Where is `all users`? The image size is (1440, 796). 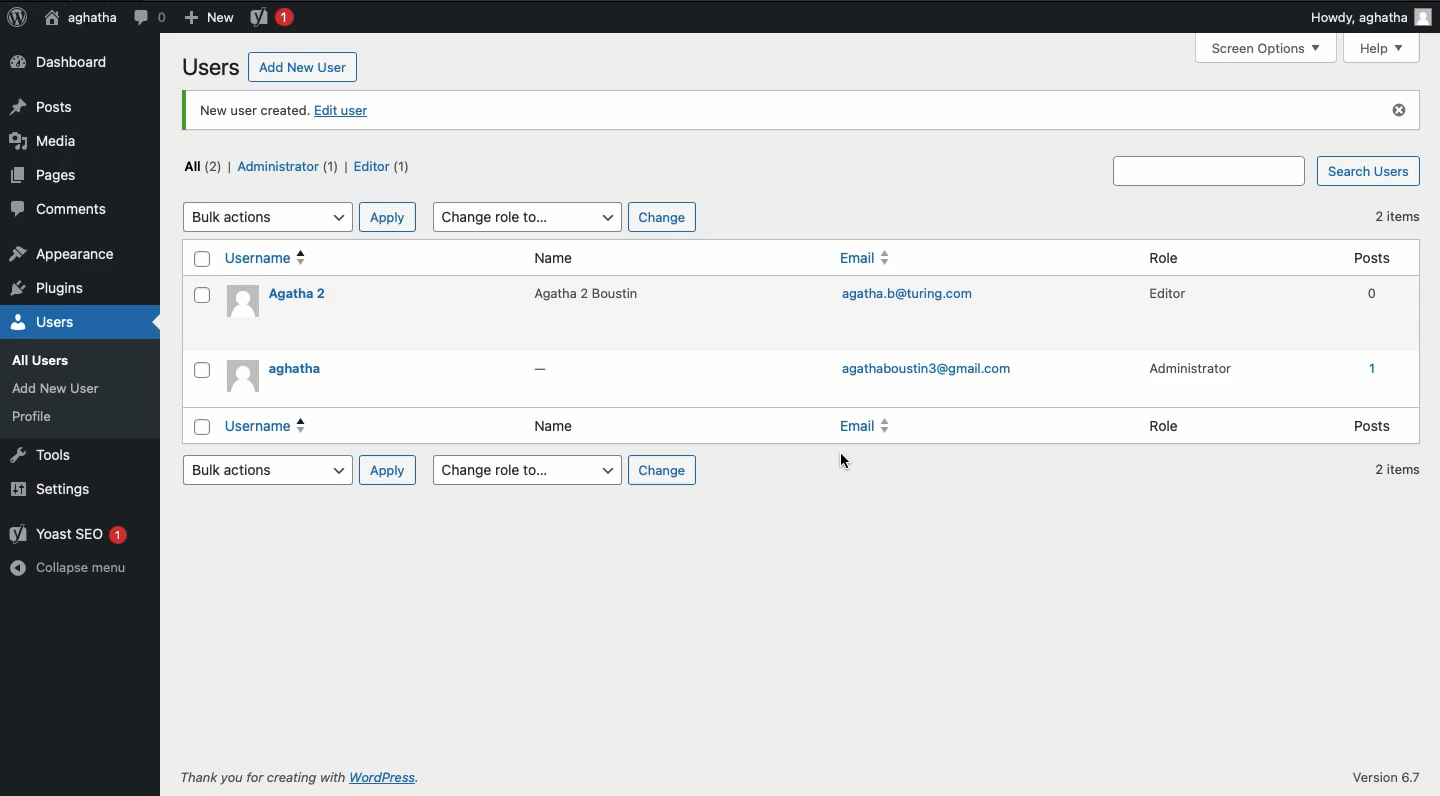 all users is located at coordinates (45, 361).